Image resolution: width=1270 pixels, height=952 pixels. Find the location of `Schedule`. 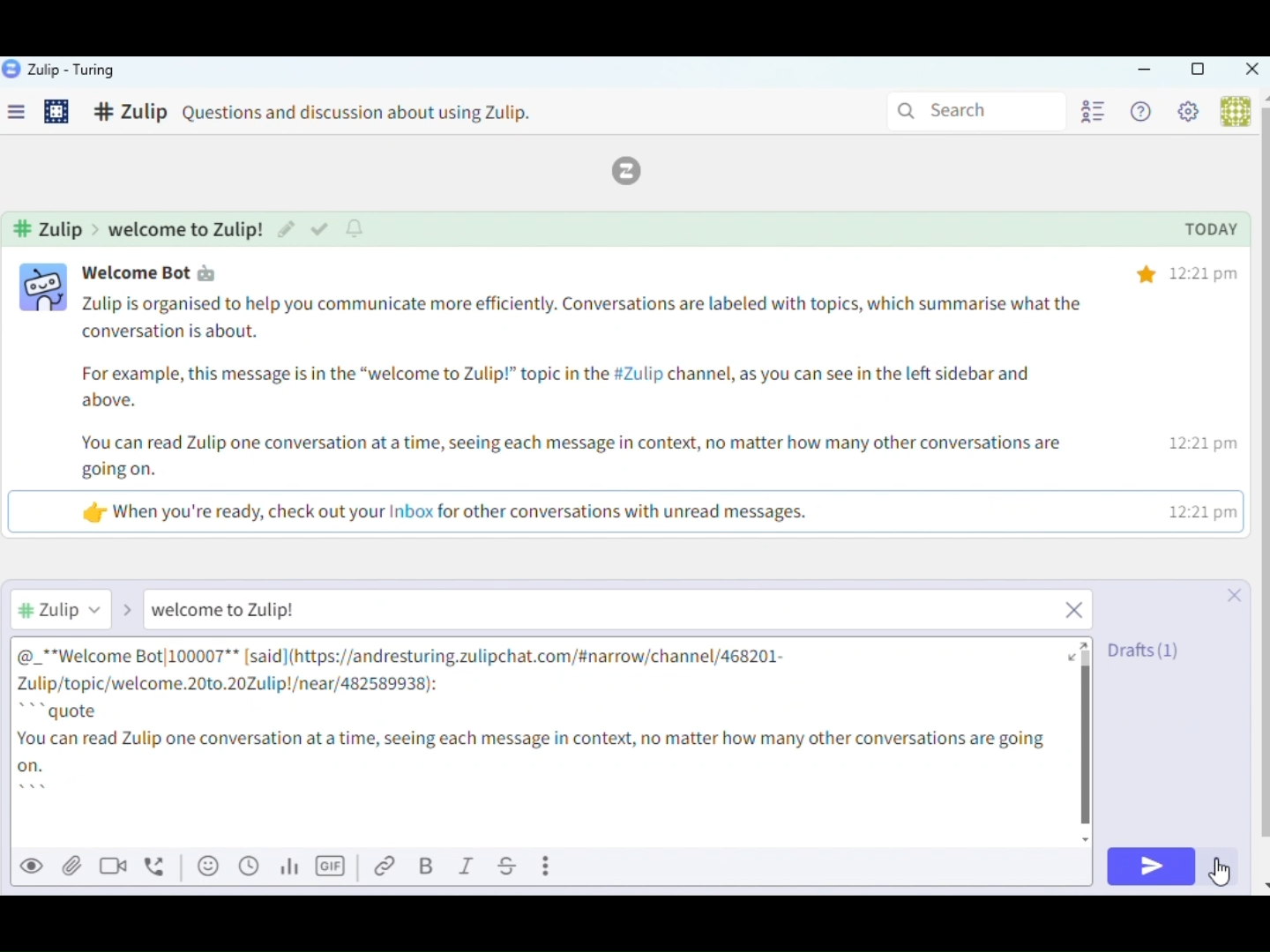

Schedule is located at coordinates (250, 866).